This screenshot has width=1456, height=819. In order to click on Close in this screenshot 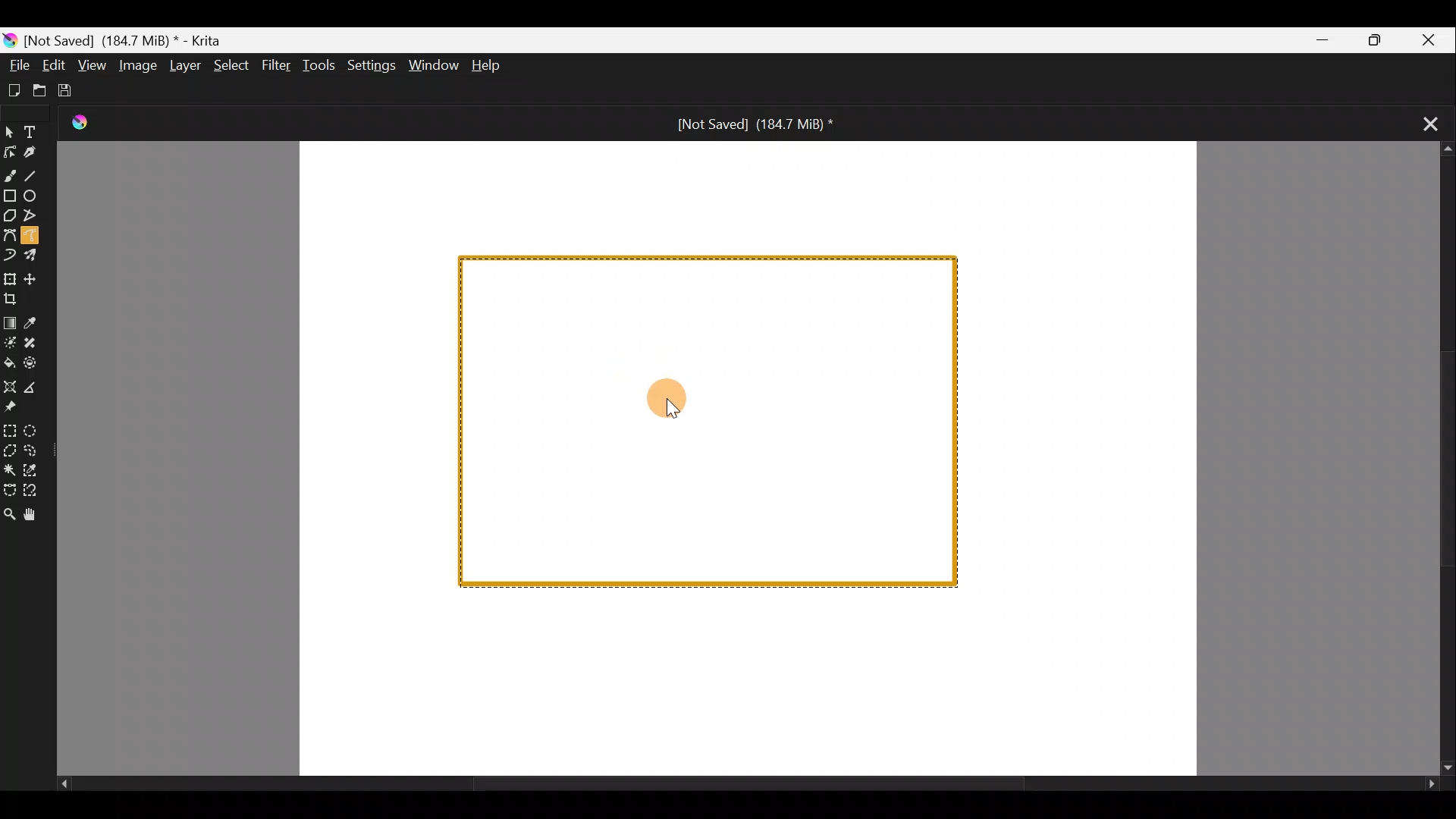, I will do `click(1429, 39)`.